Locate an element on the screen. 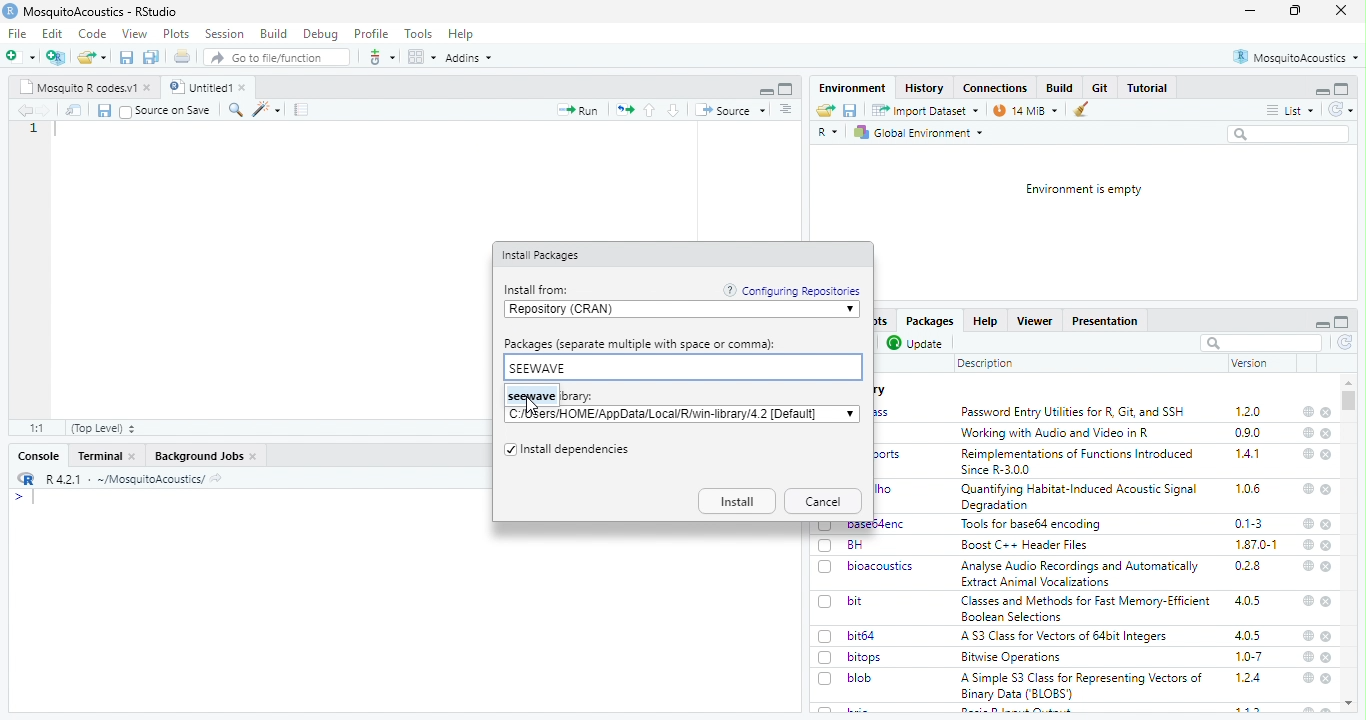 This screenshot has width=1366, height=720. History is located at coordinates (925, 89).